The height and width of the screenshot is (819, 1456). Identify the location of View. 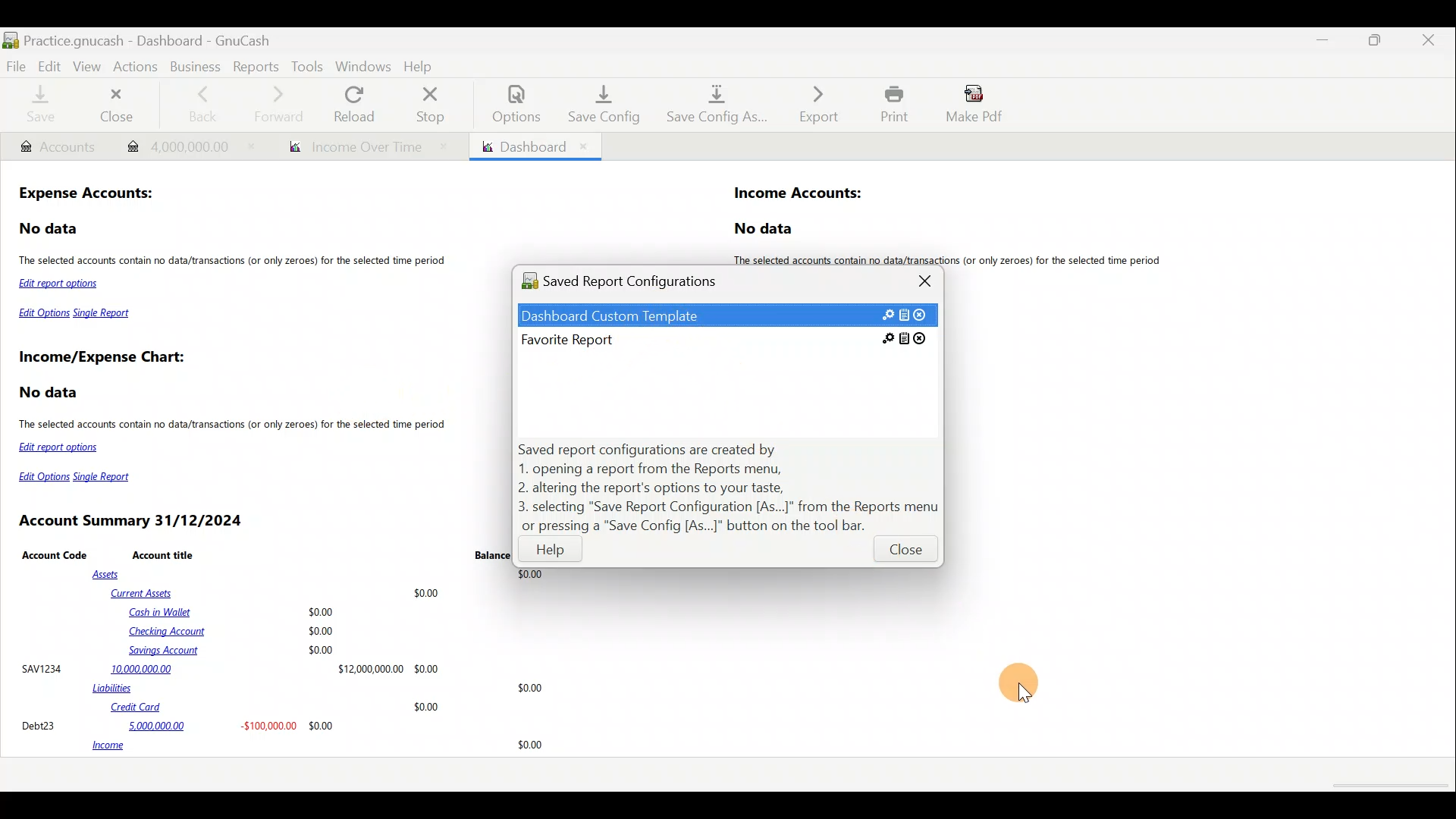
(89, 67).